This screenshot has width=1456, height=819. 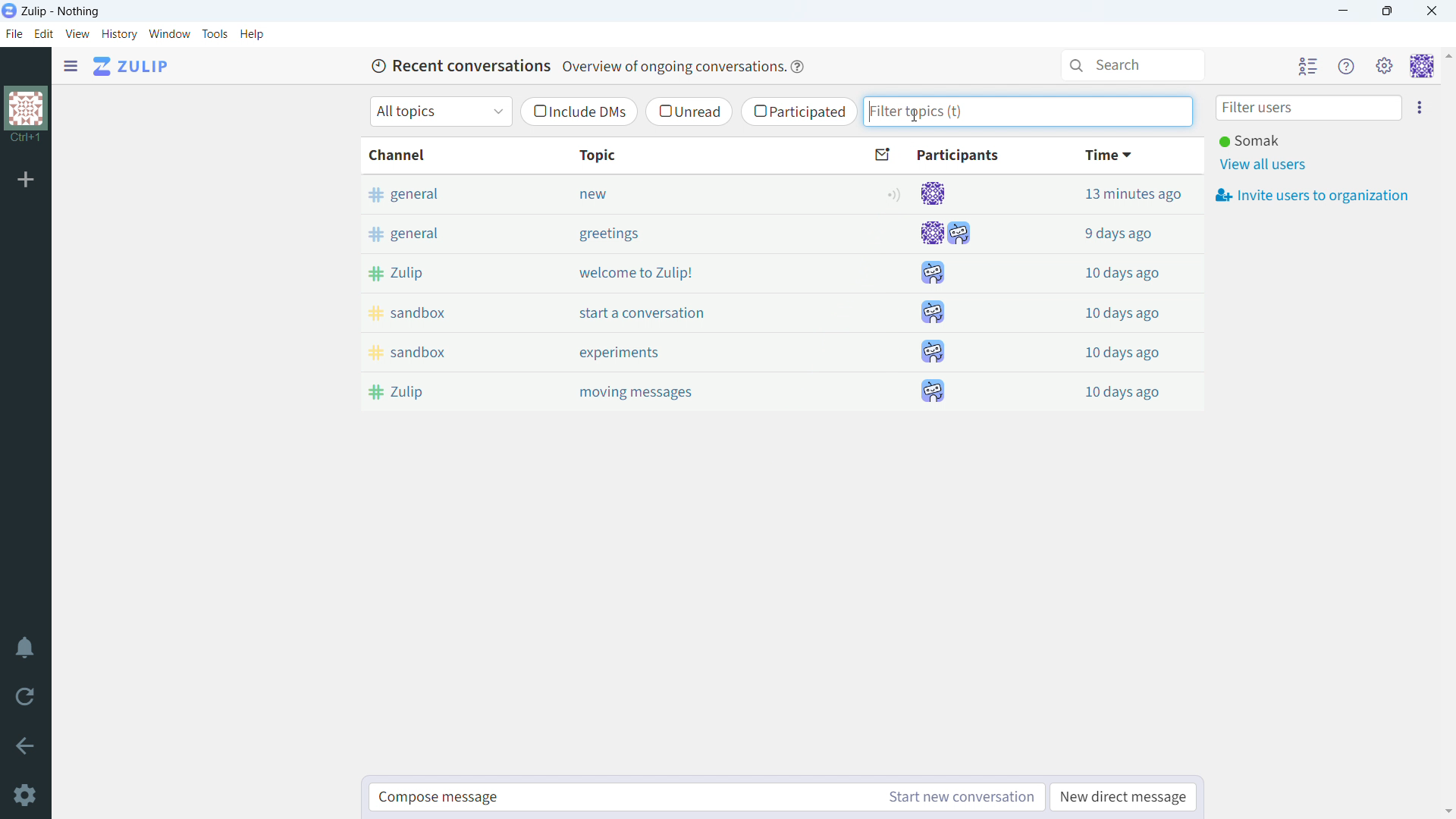 What do you see at coordinates (1266, 165) in the screenshot?
I see `view all users` at bounding box center [1266, 165].